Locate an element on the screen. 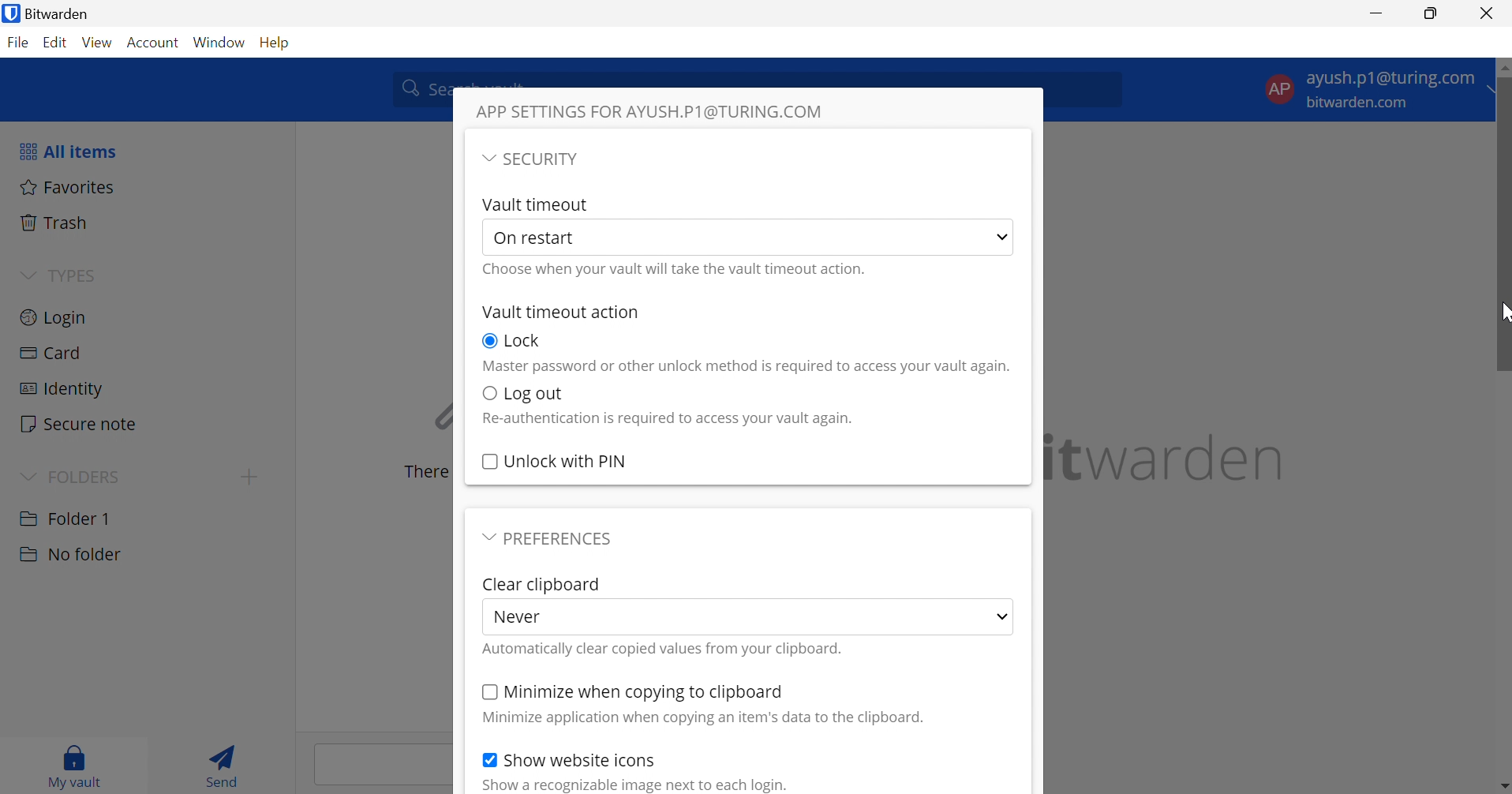  Drop Down is located at coordinates (485, 537).